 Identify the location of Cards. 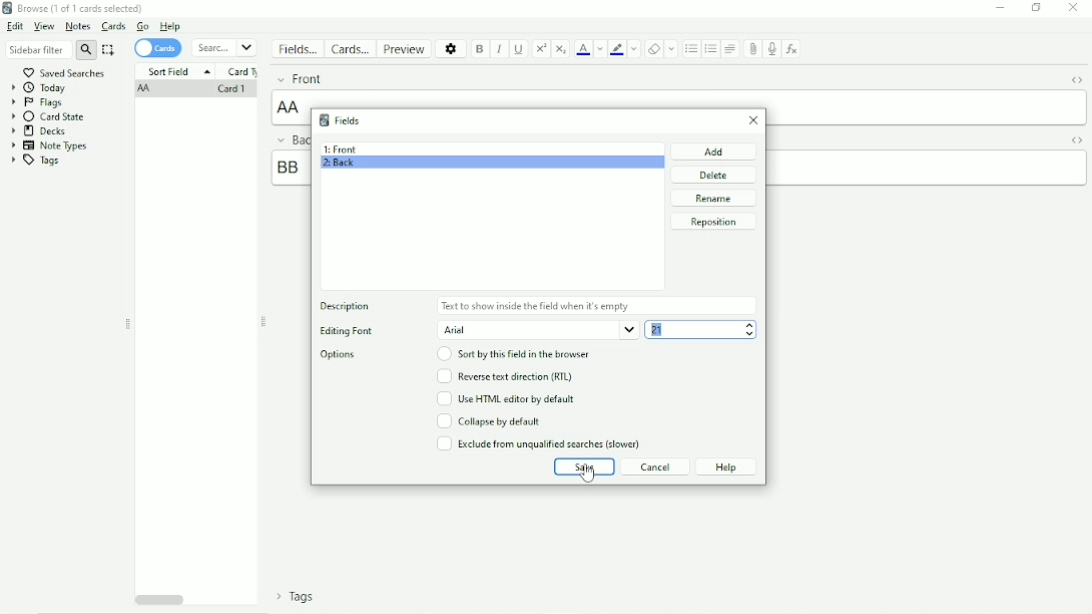
(349, 48).